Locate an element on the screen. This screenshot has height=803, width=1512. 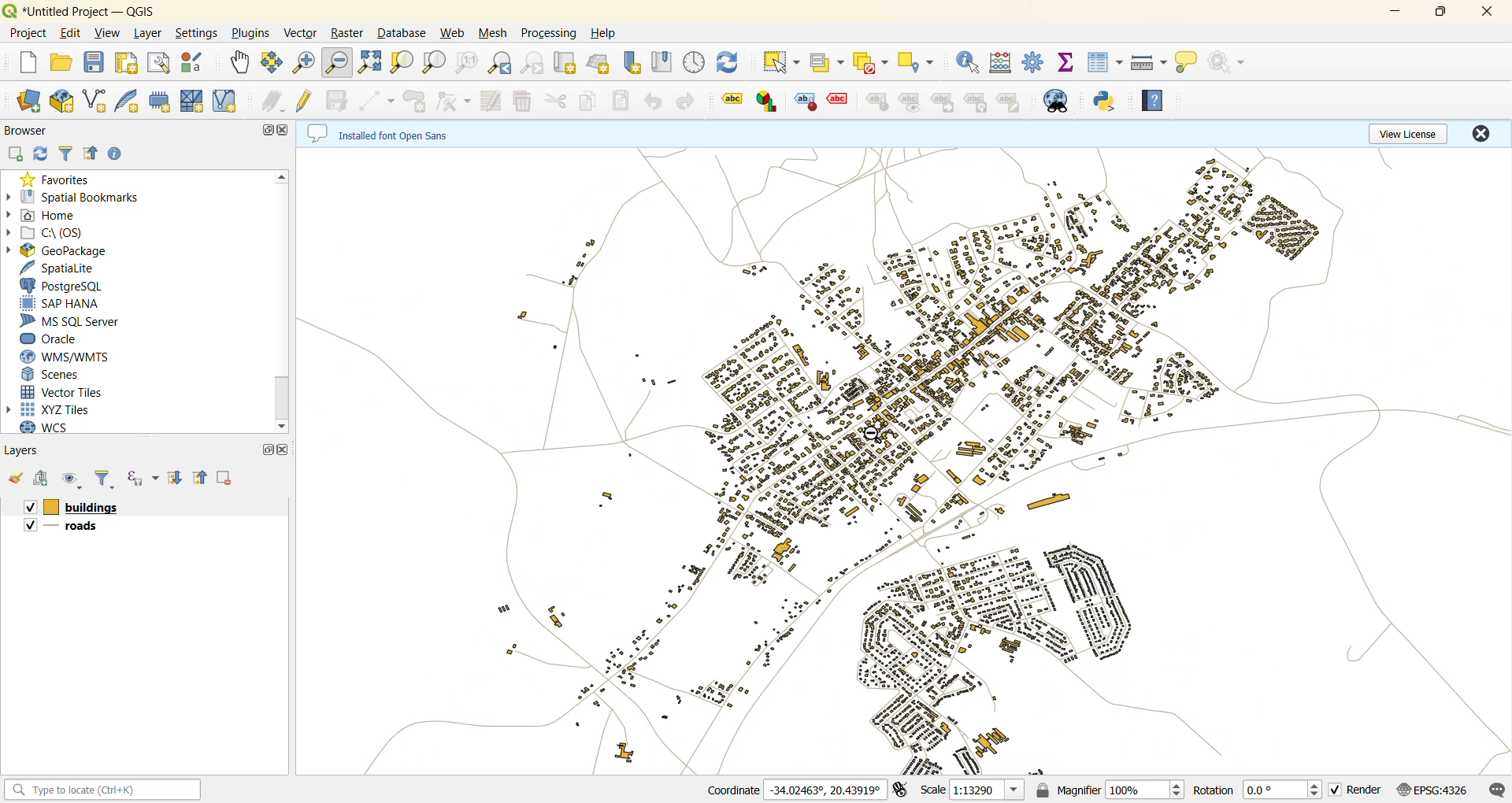
vertex tool is located at coordinates (453, 102).